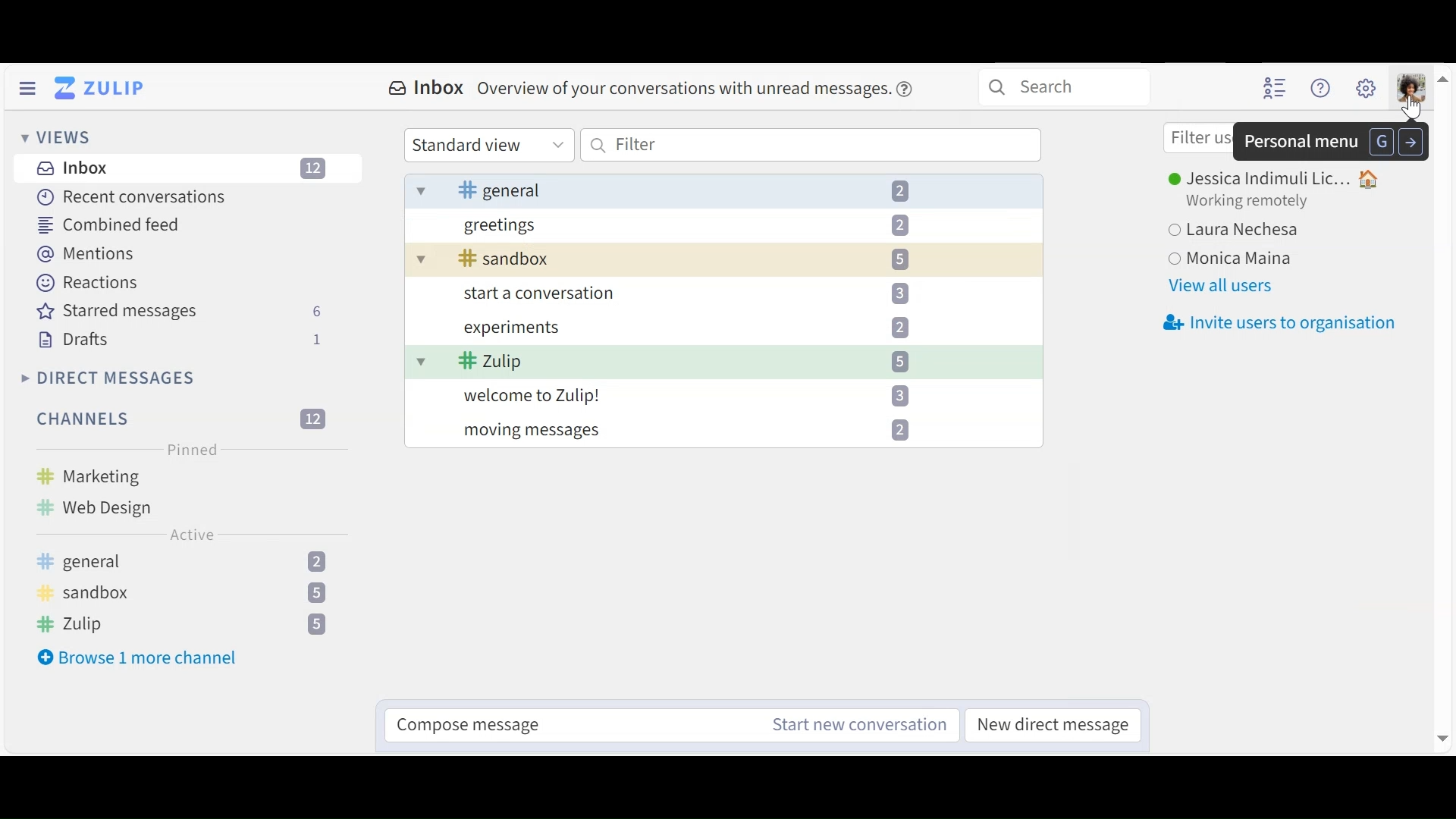  What do you see at coordinates (890, 293) in the screenshot?
I see `3` at bounding box center [890, 293].